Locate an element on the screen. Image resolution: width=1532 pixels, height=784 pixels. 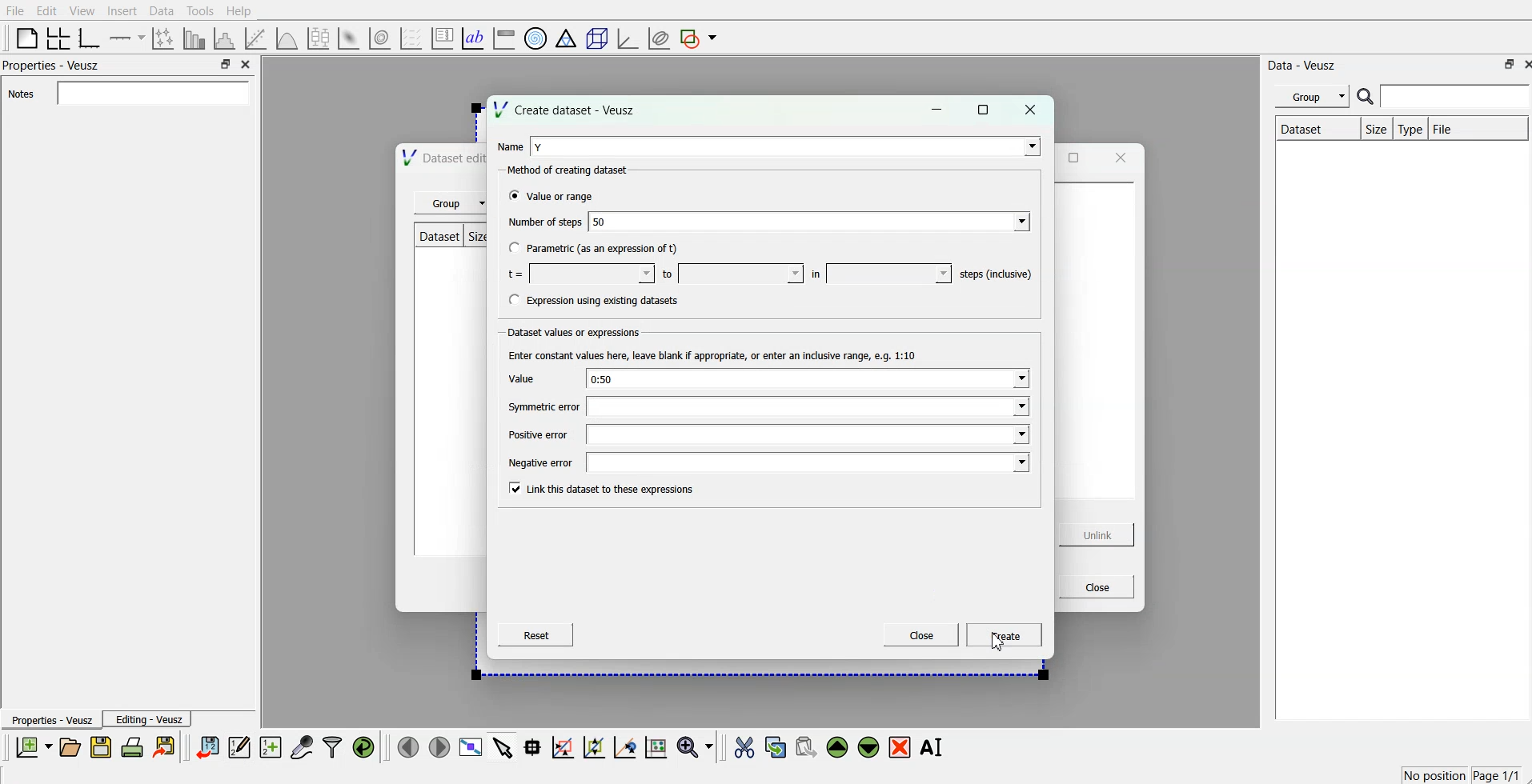
negative error value field is located at coordinates (809, 461).